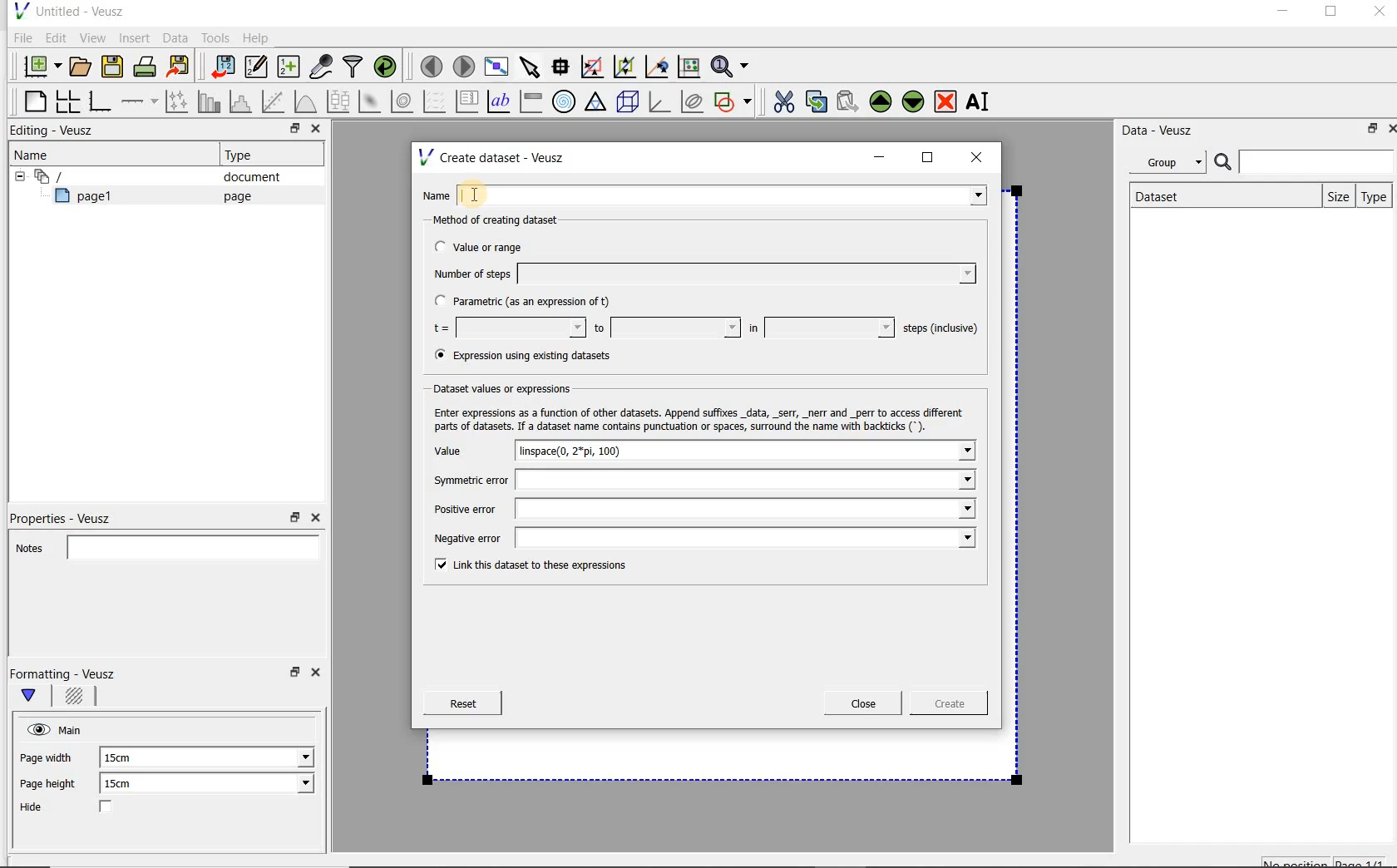  Describe the element at coordinates (914, 101) in the screenshot. I see `Move the selected widget down` at that location.